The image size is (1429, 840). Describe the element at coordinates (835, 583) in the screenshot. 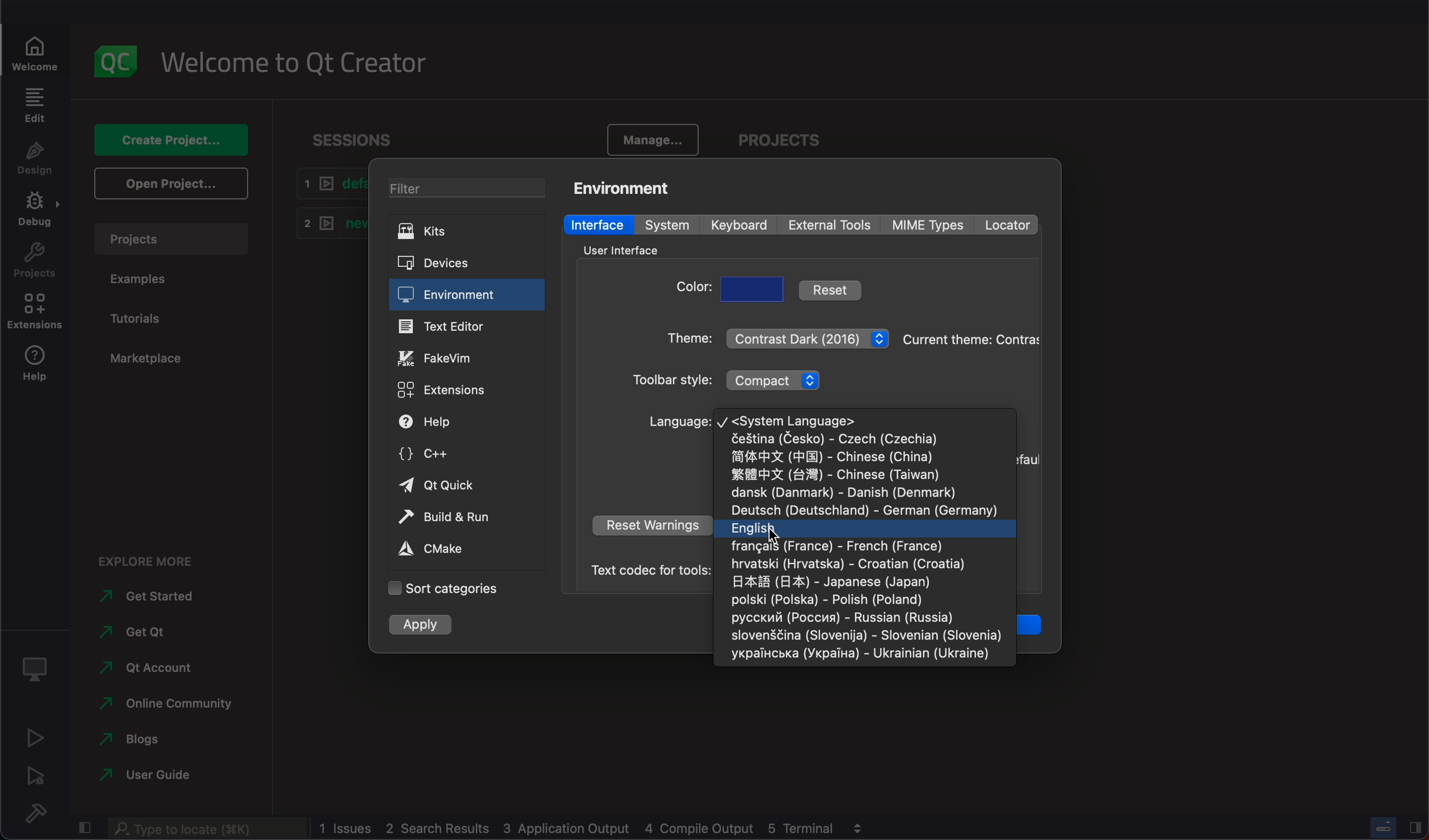

I see `japan` at that location.